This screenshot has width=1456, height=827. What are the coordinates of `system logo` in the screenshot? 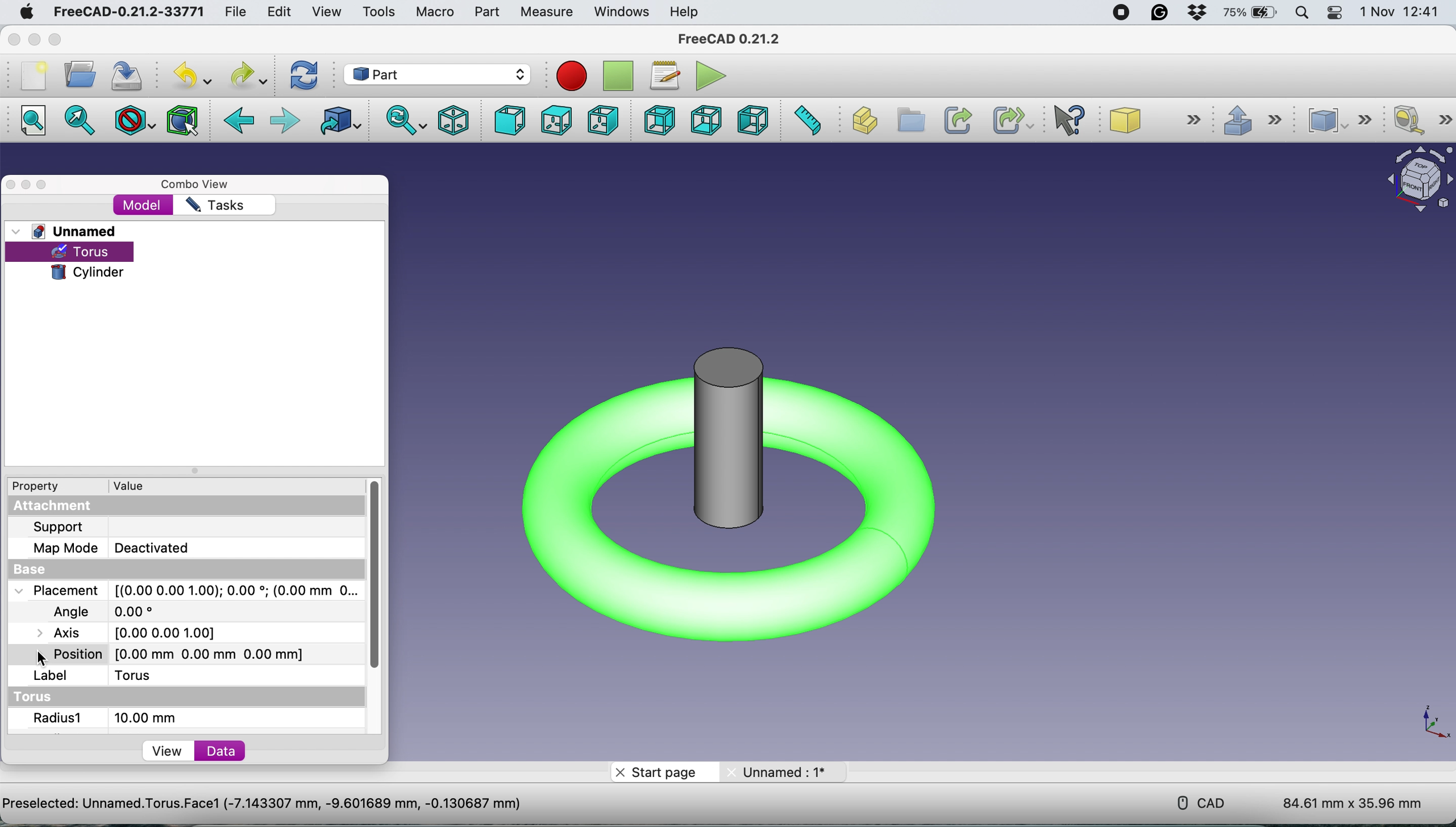 It's located at (27, 14).